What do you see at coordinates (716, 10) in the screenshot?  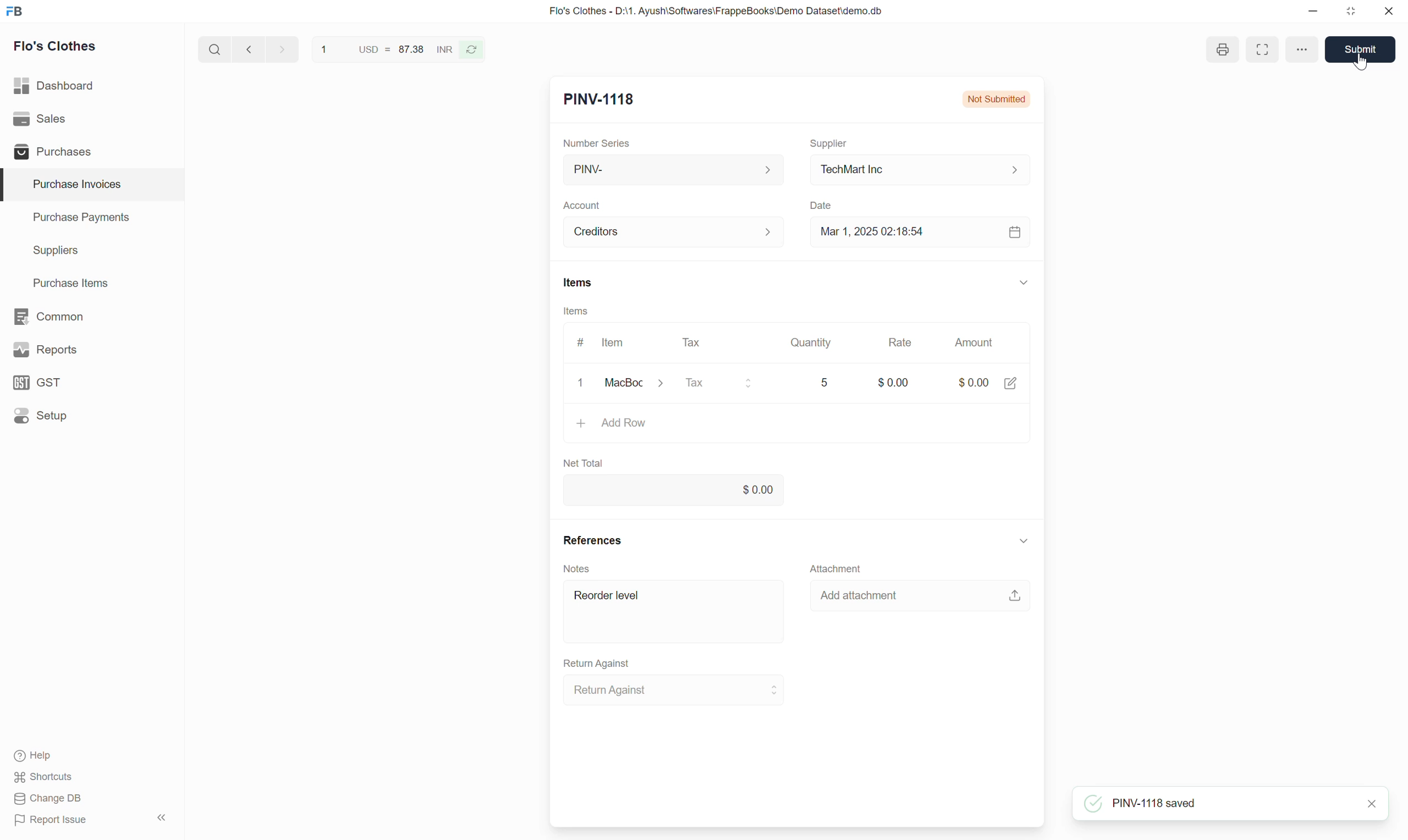 I see `Flo's Clothes - D:\1. Ayush\Softwares\FrappeBooks\Demo Dataset\demo.db` at bounding box center [716, 10].